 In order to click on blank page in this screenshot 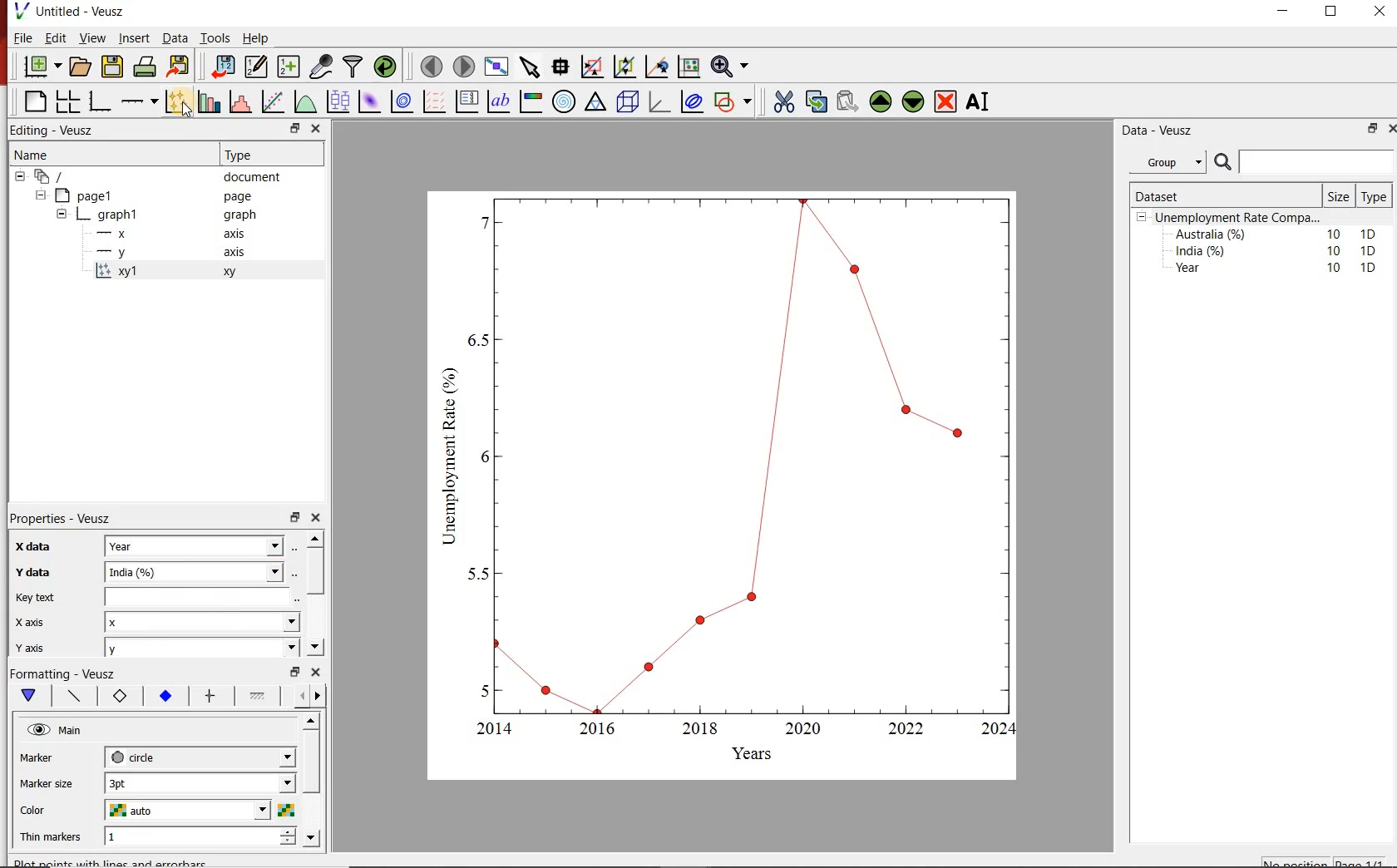, I will do `click(34, 100)`.